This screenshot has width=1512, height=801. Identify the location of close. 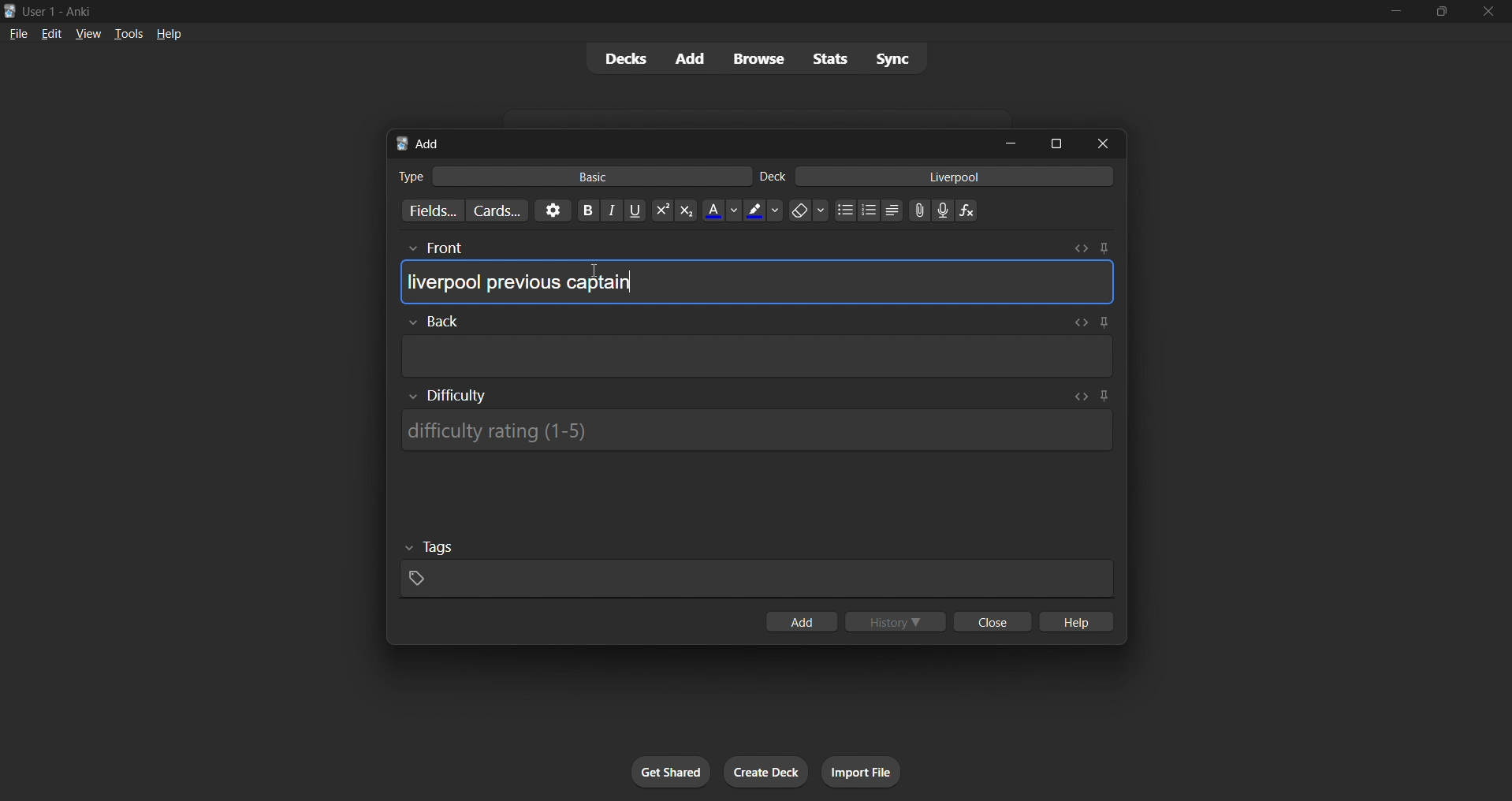
(1489, 12).